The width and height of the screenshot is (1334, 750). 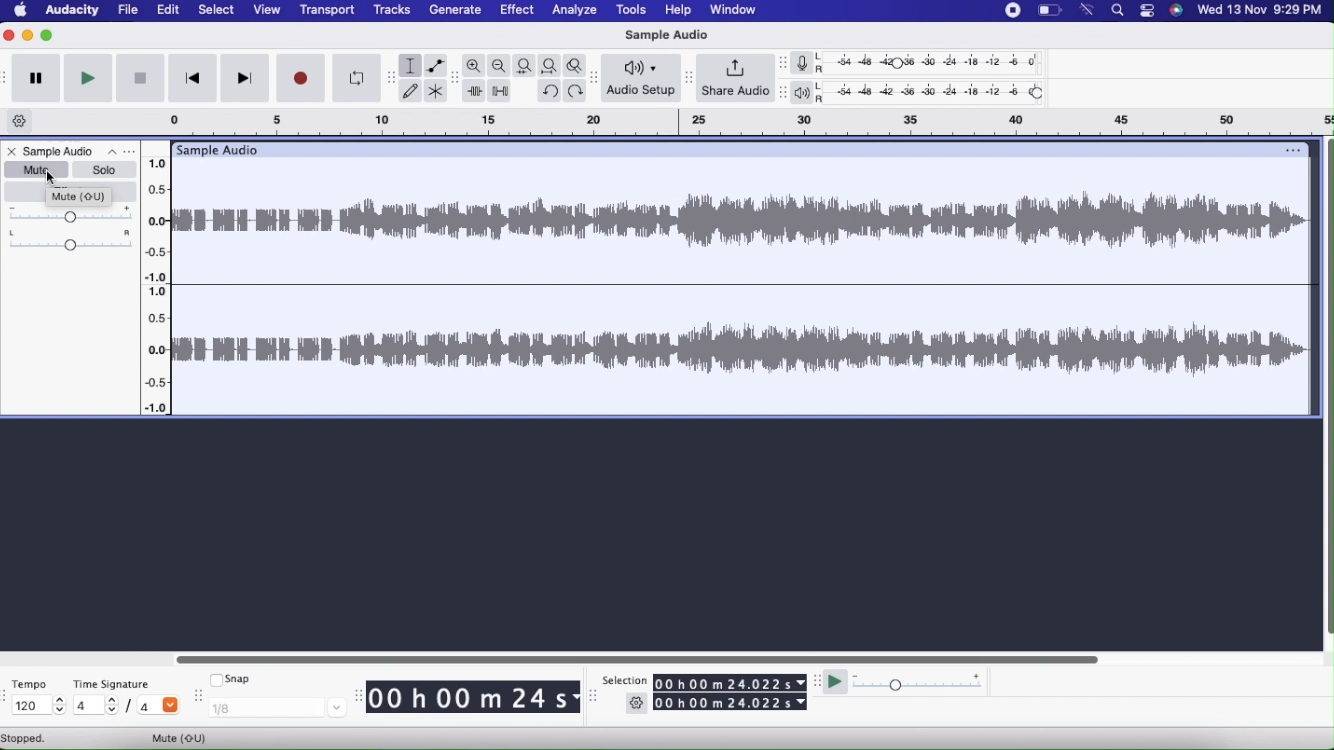 I want to click on 4, so click(x=96, y=706).